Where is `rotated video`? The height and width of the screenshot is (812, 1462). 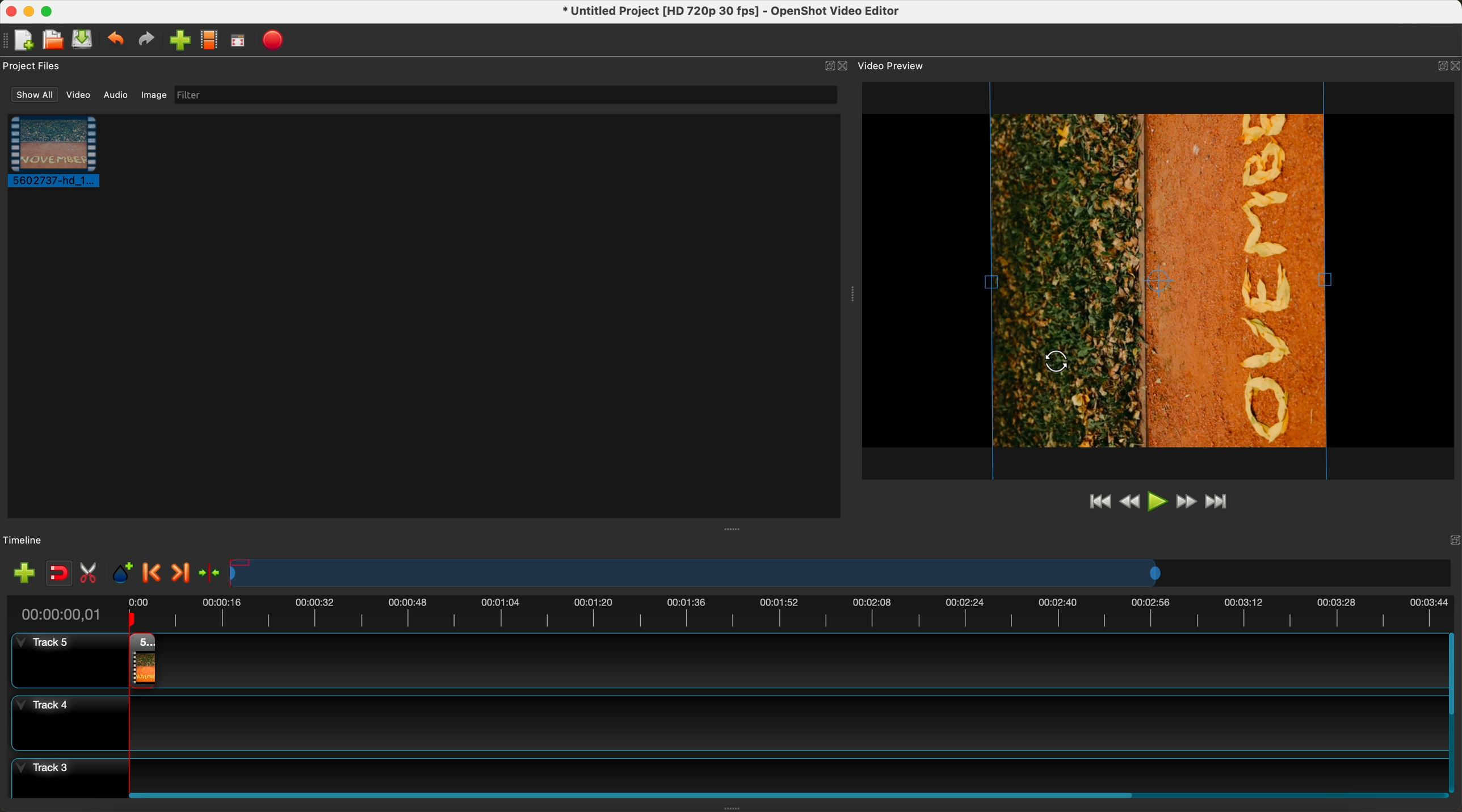 rotated video is located at coordinates (1159, 280).